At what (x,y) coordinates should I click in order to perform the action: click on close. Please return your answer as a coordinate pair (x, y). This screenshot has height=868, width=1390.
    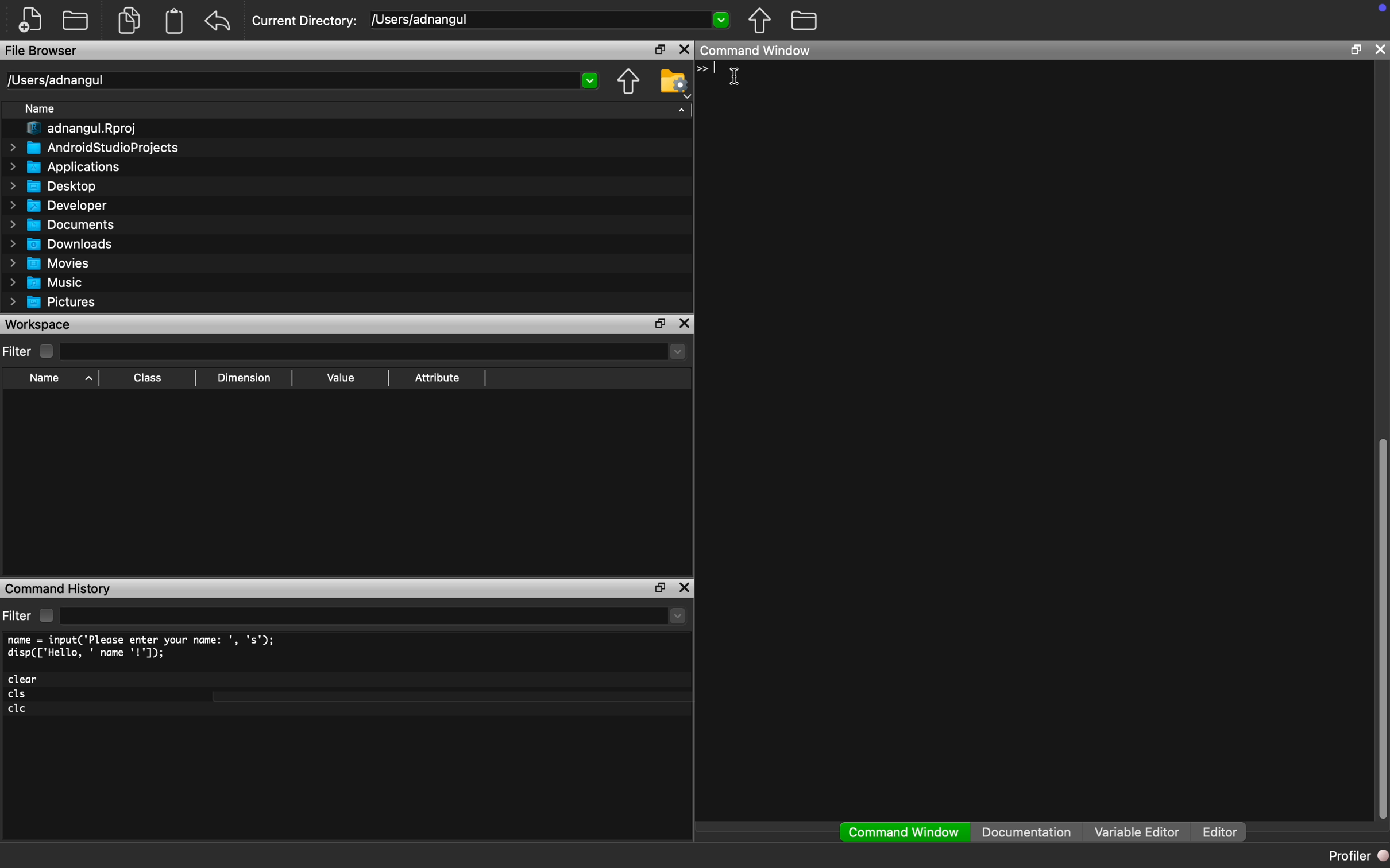
    Looking at the image, I should click on (685, 587).